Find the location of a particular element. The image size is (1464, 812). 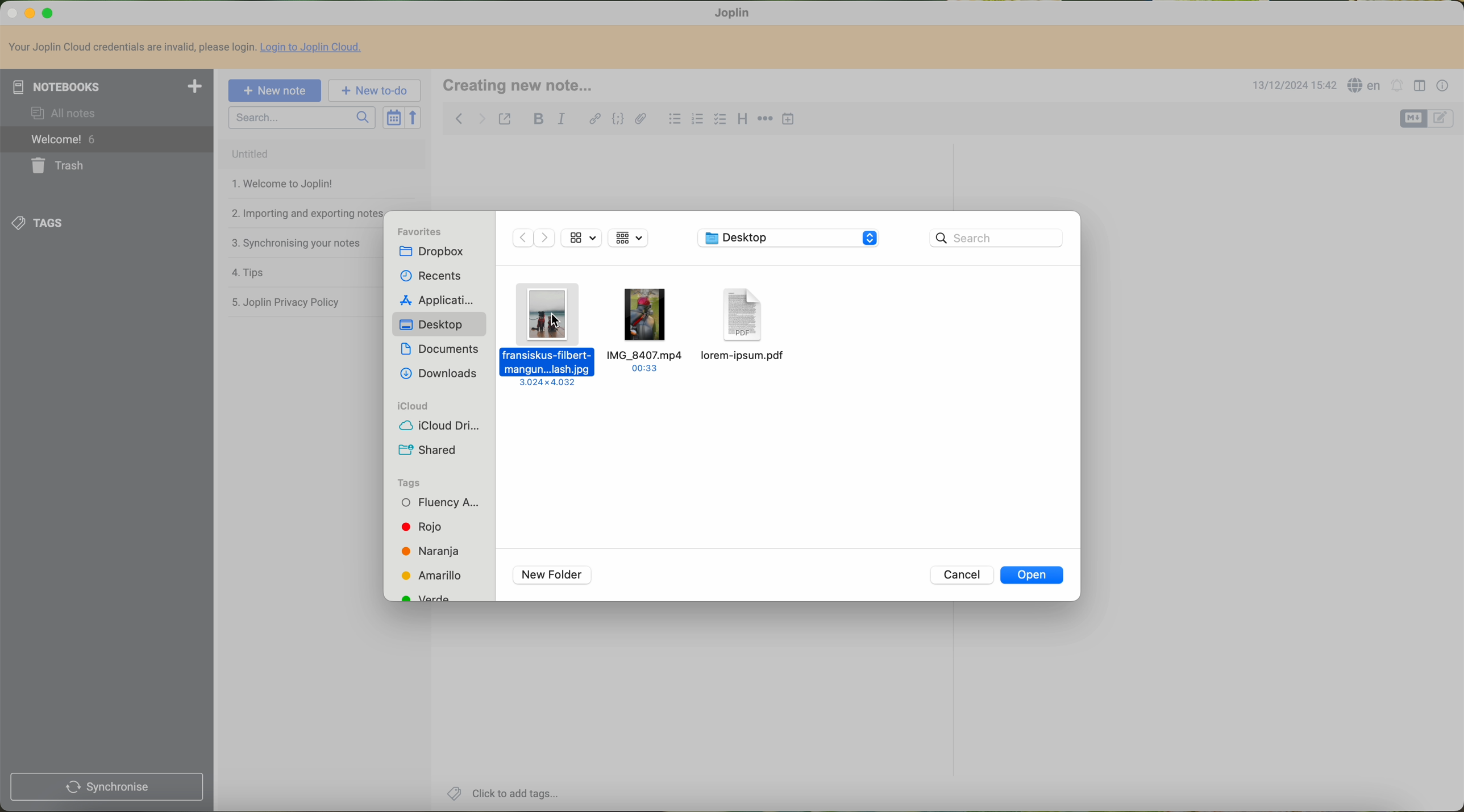

untitled note is located at coordinates (321, 154).